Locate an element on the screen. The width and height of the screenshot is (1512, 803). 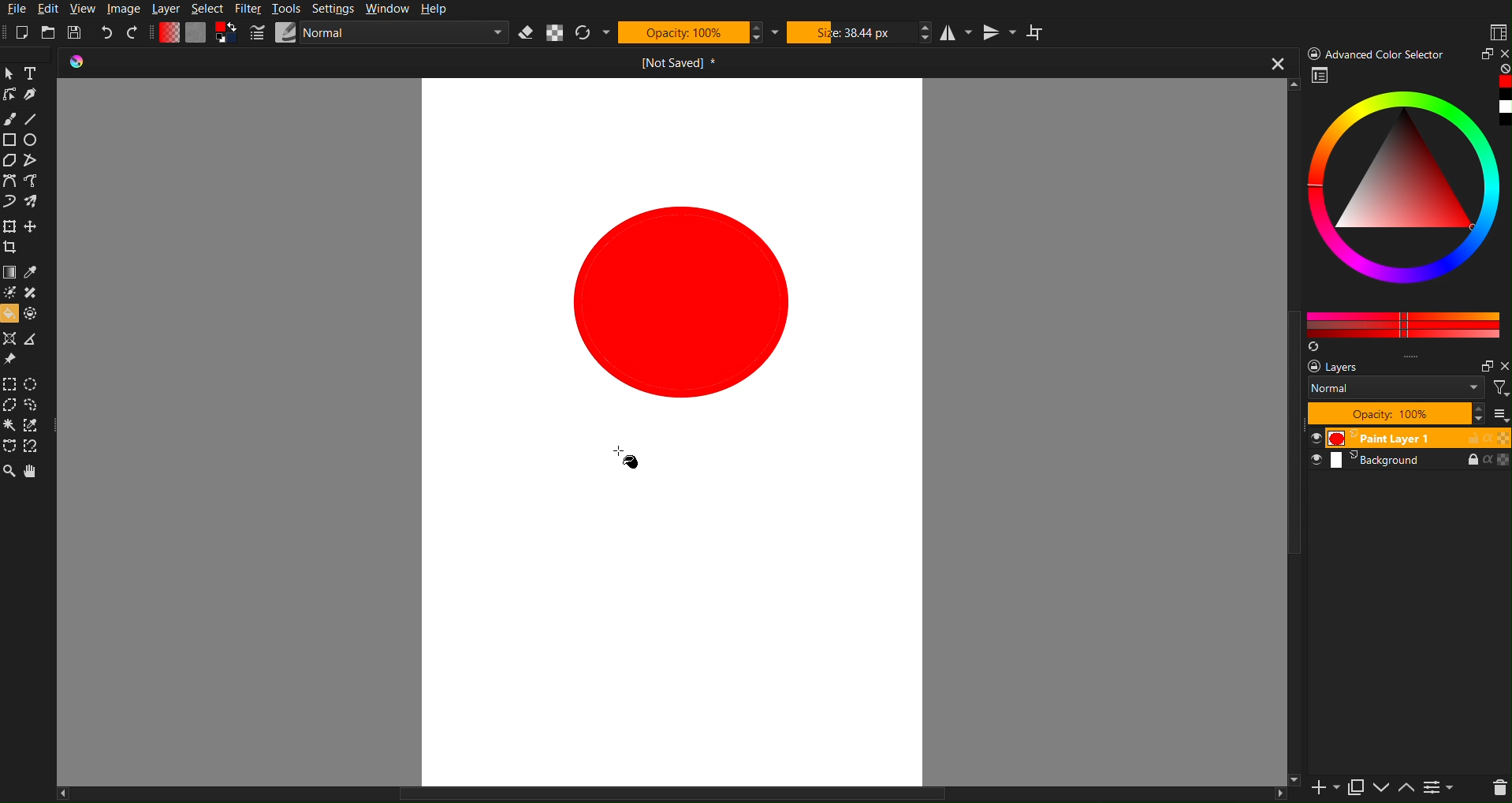
Pencil is located at coordinates (257, 33).